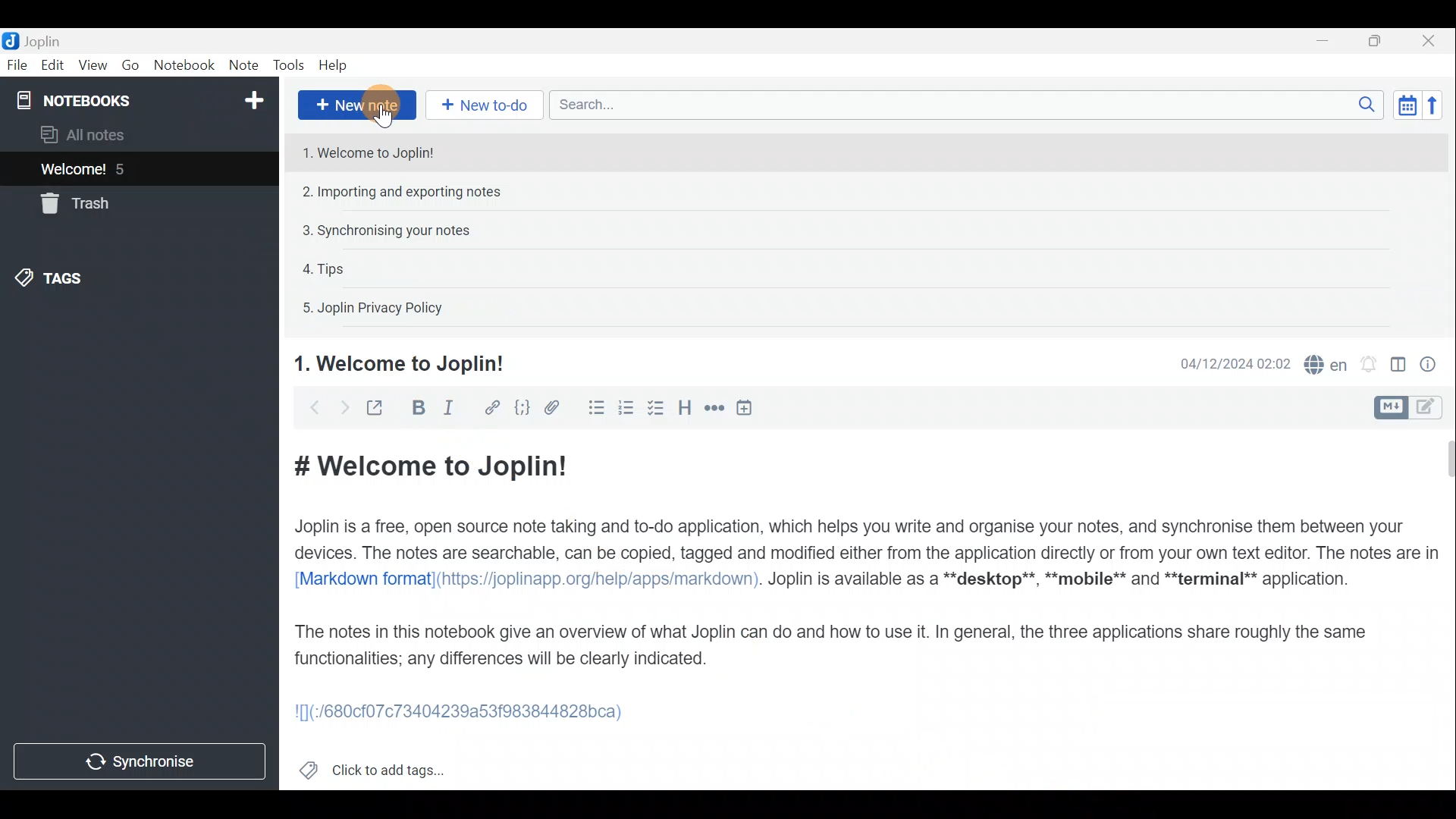 Image resolution: width=1456 pixels, height=819 pixels. What do you see at coordinates (92, 67) in the screenshot?
I see `View` at bounding box center [92, 67].